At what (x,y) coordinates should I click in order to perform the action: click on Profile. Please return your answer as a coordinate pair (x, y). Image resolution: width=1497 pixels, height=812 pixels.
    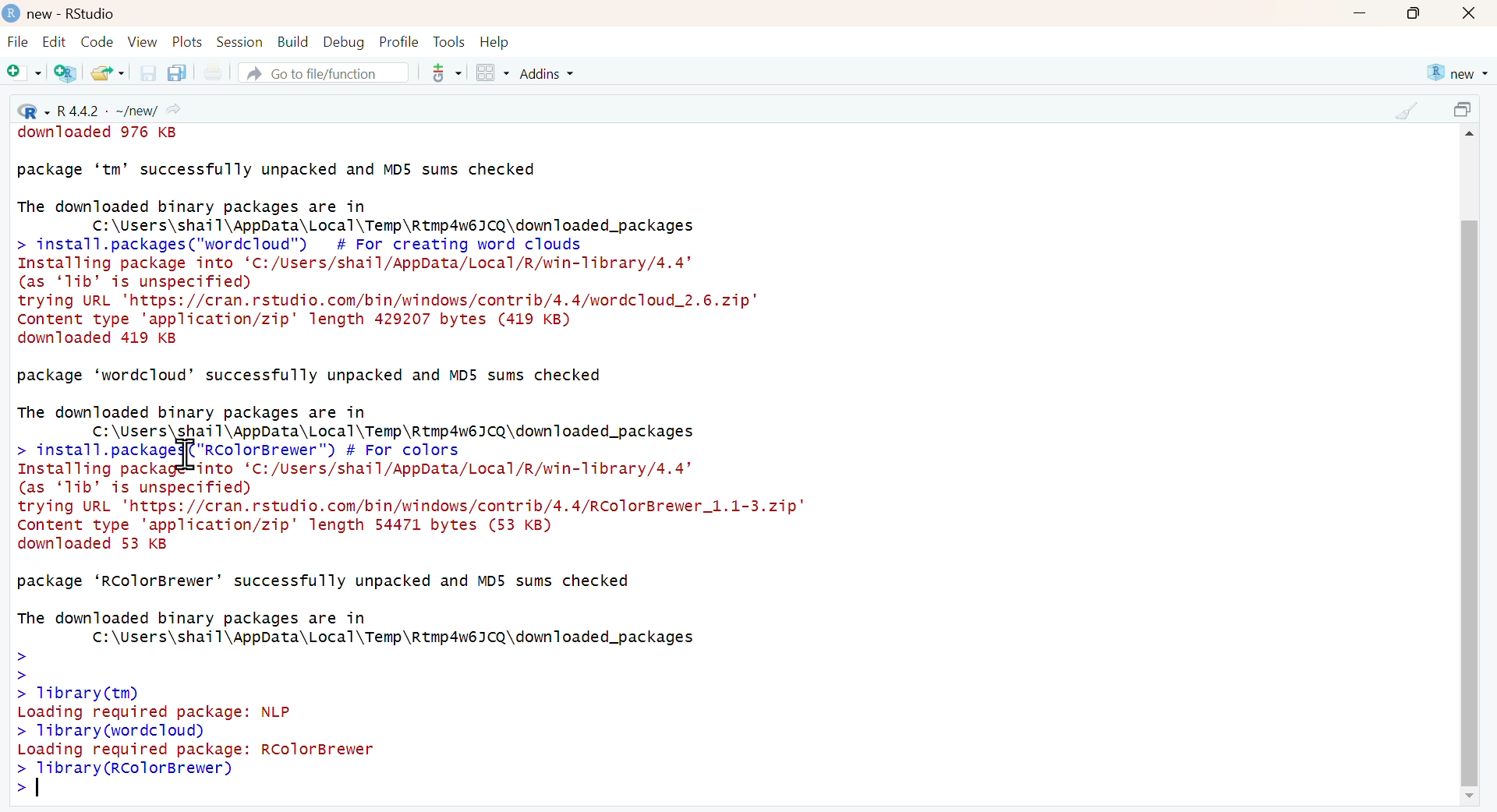
    Looking at the image, I should click on (401, 42).